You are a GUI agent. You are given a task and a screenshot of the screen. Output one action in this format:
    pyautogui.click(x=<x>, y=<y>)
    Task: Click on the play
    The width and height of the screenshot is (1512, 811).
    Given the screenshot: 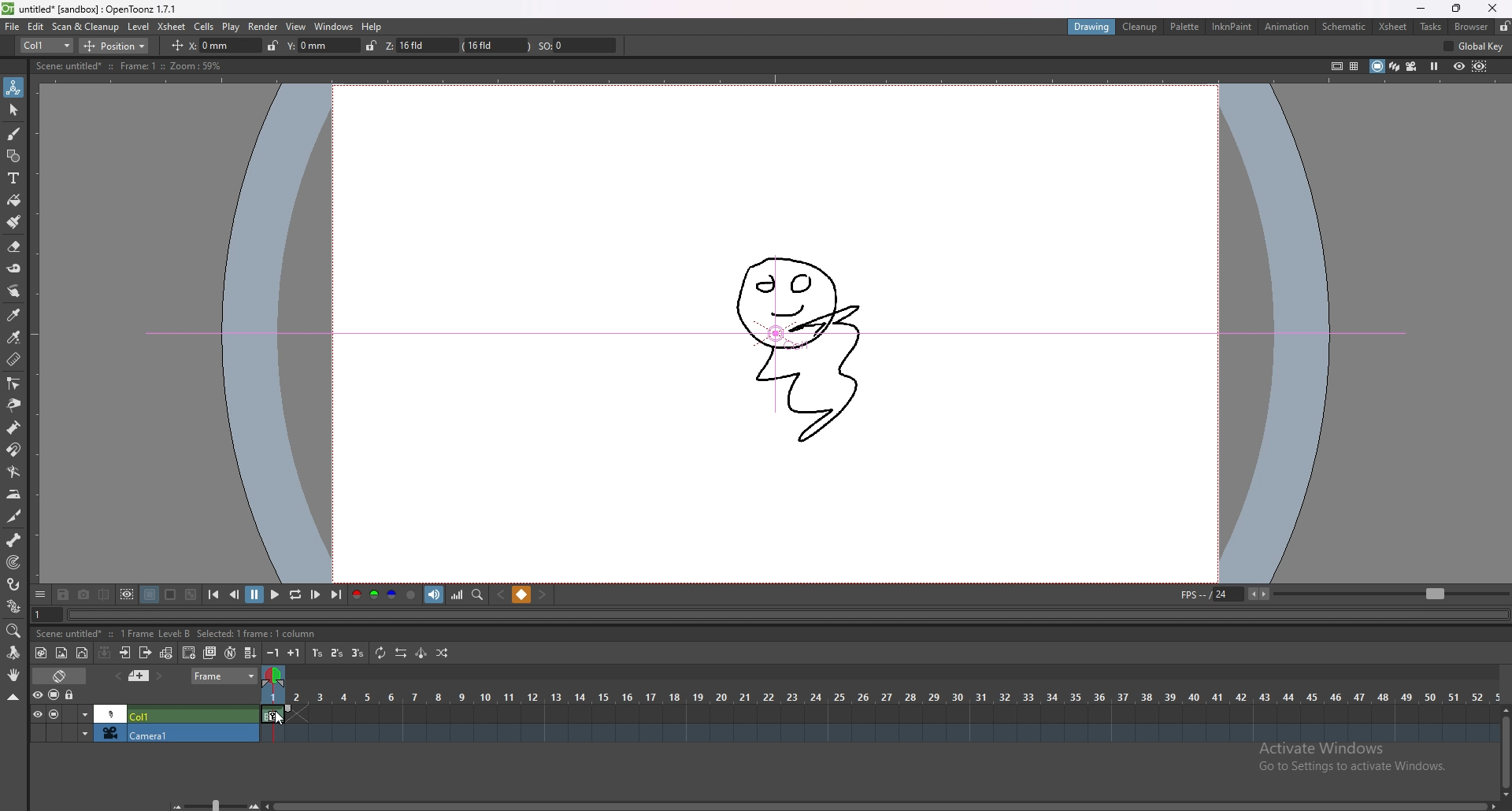 What is the action you would take?
    pyautogui.click(x=273, y=595)
    